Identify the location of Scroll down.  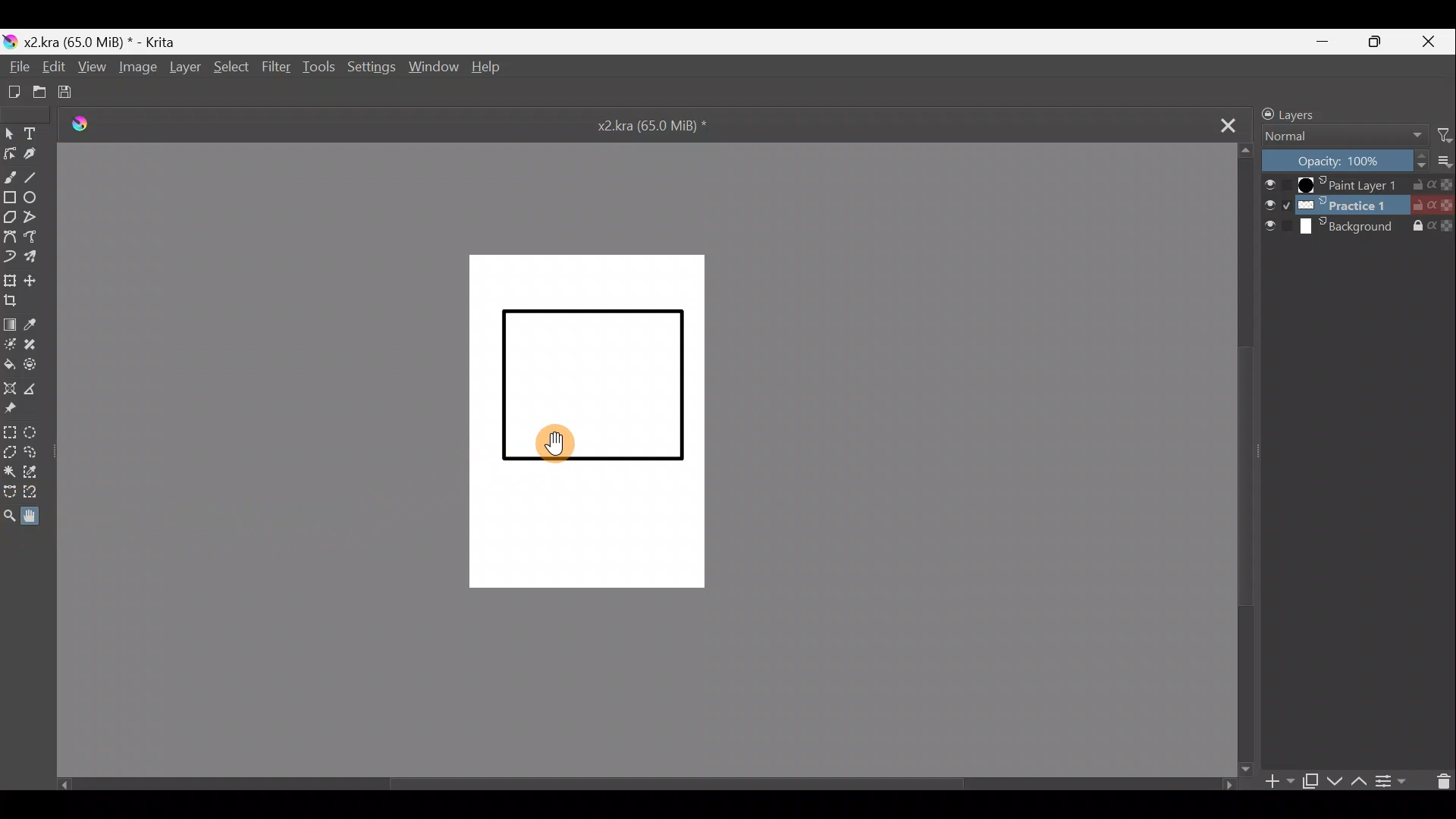
(1247, 459).